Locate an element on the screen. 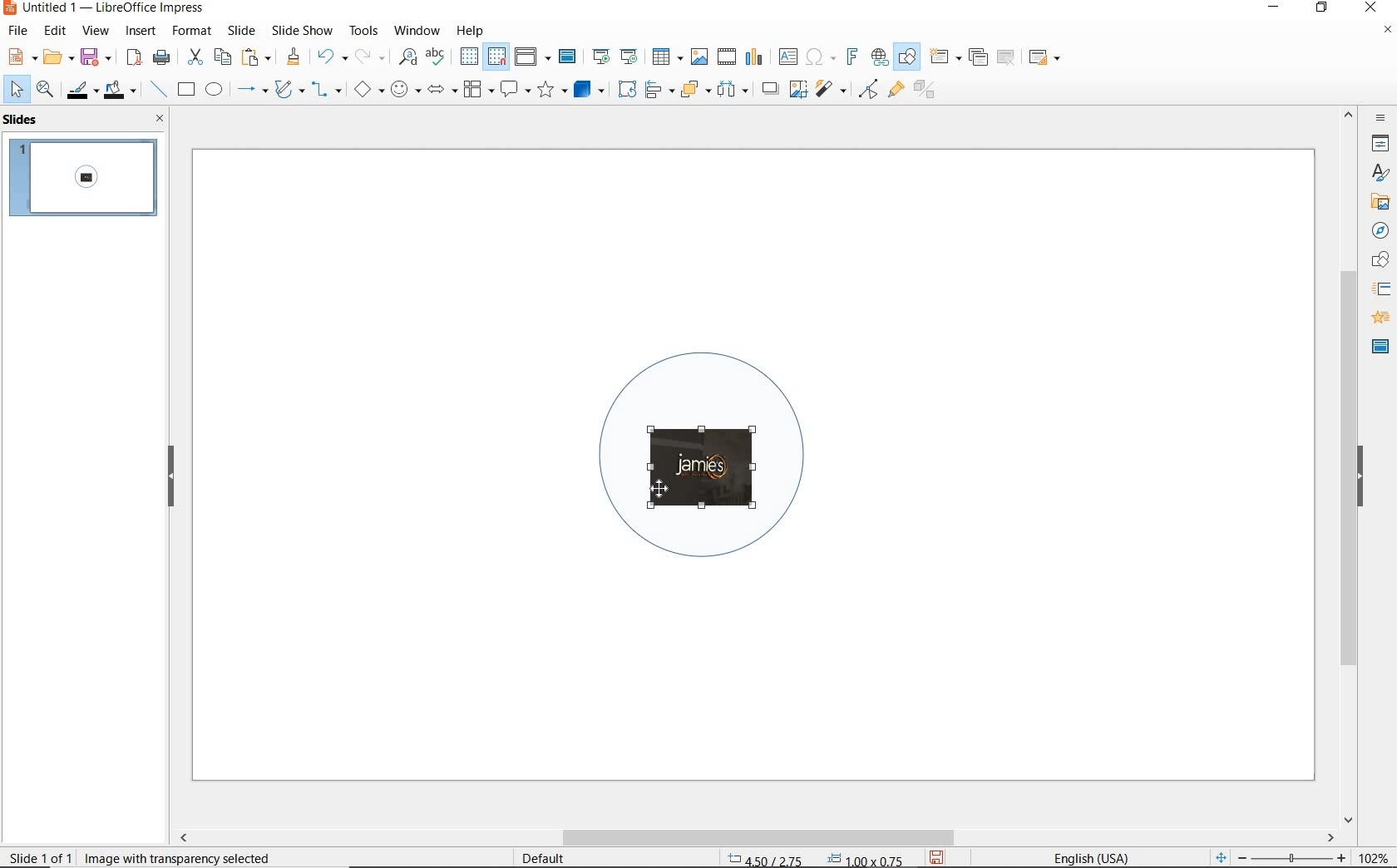 The image size is (1397, 868). clone formatting is located at coordinates (294, 57).